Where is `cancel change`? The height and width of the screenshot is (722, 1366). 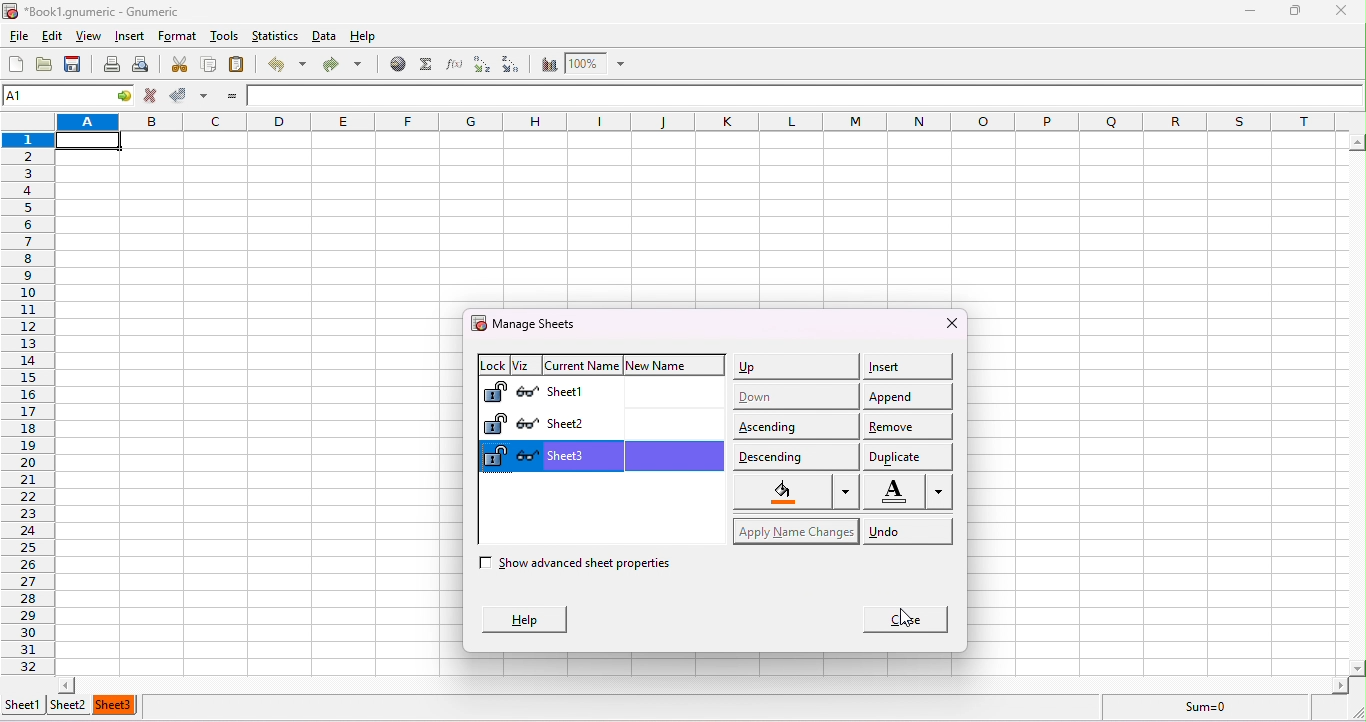
cancel change is located at coordinates (152, 98).